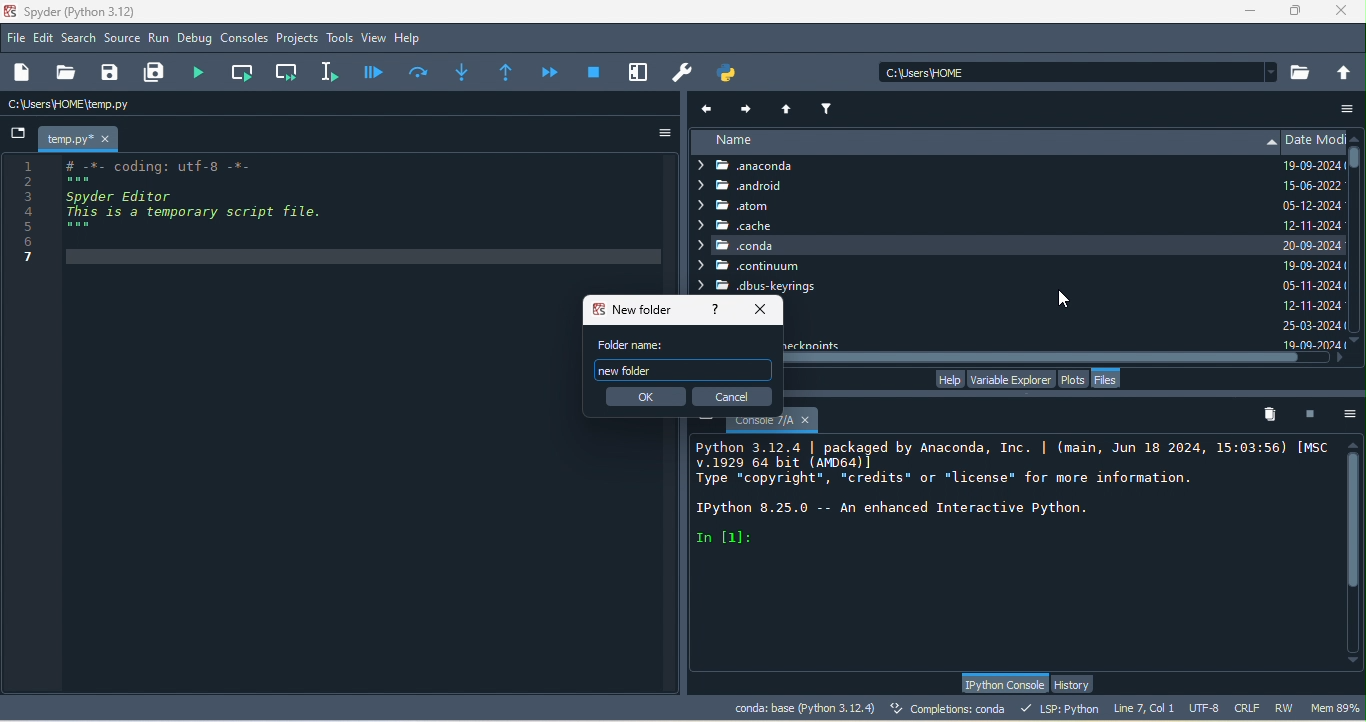 Image resolution: width=1366 pixels, height=722 pixels. Describe the element at coordinates (1076, 684) in the screenshot. I see `history` at that location.